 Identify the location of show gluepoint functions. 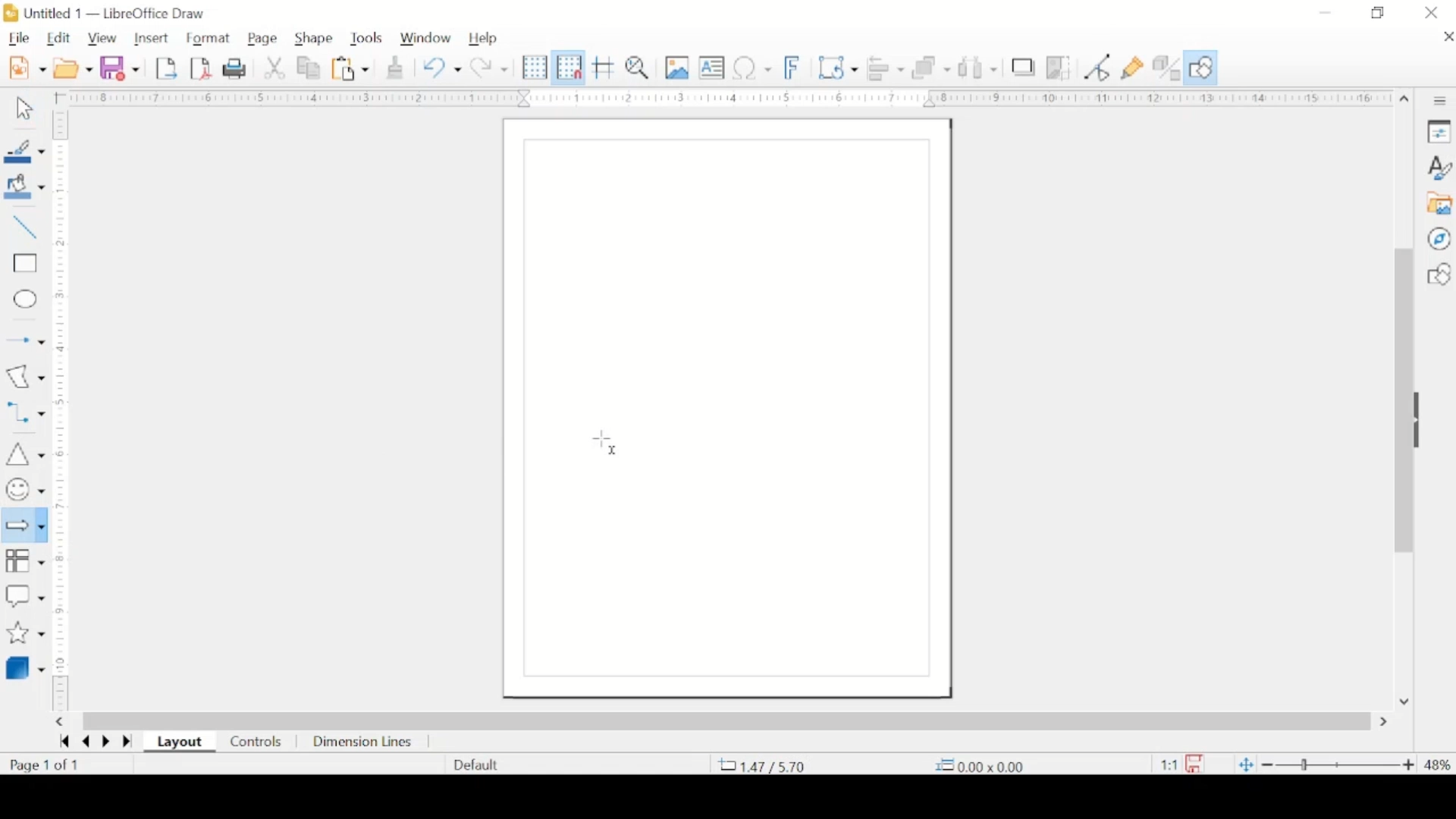
(1133, 67).